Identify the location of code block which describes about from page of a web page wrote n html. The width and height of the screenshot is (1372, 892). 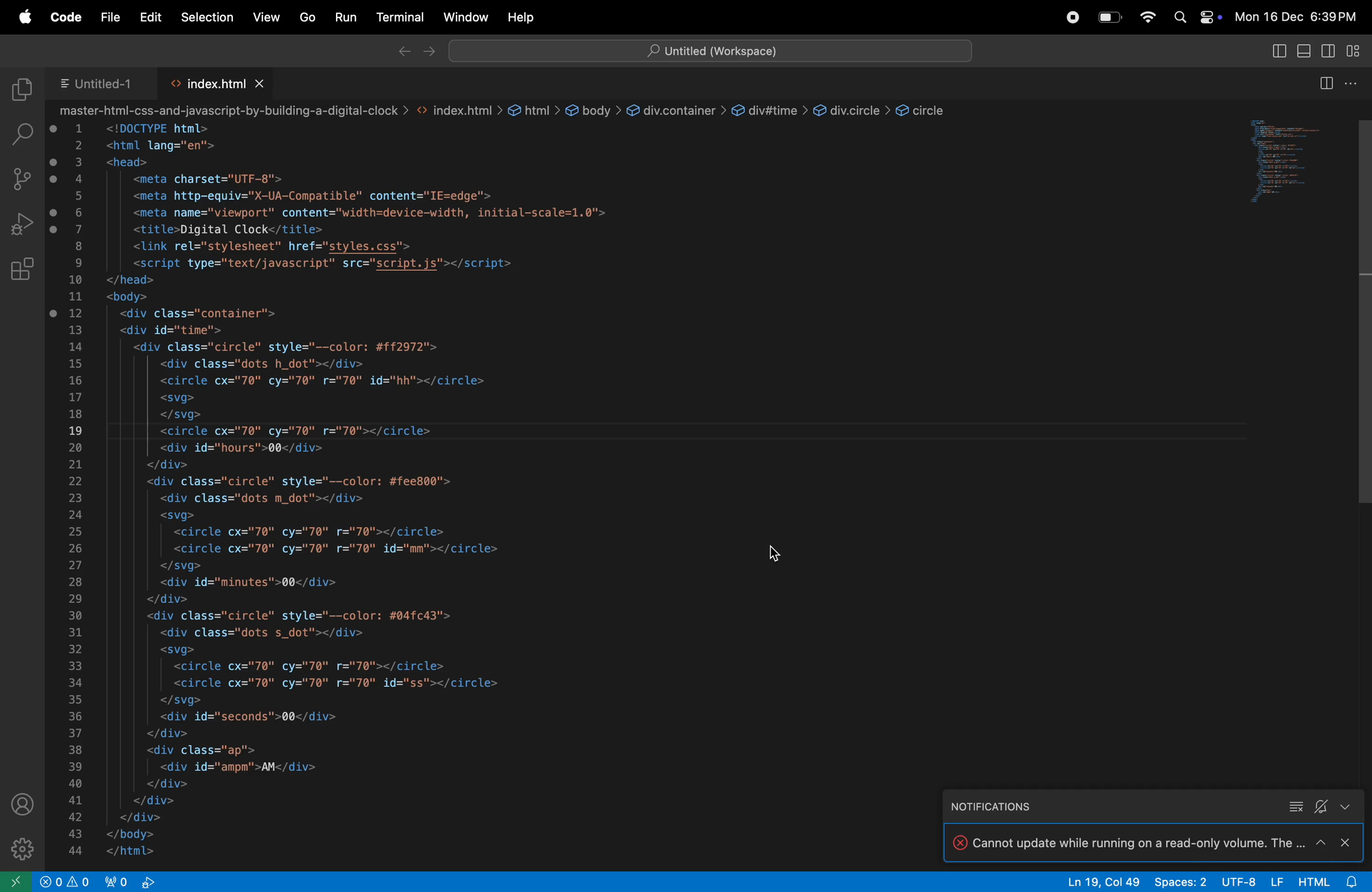
(491, 483).